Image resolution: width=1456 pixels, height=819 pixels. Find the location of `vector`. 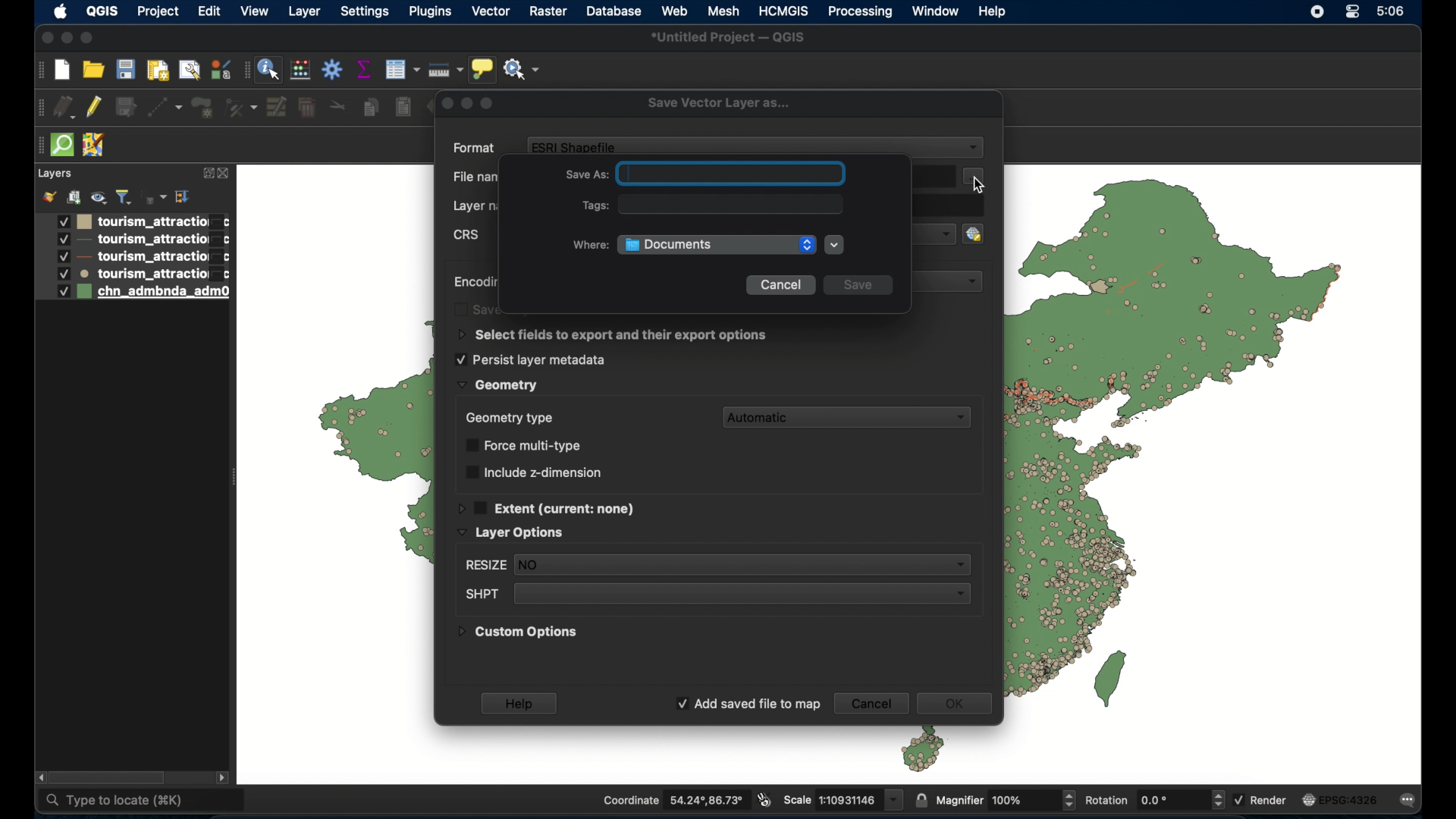

vector is located at coordinates (492, 12).